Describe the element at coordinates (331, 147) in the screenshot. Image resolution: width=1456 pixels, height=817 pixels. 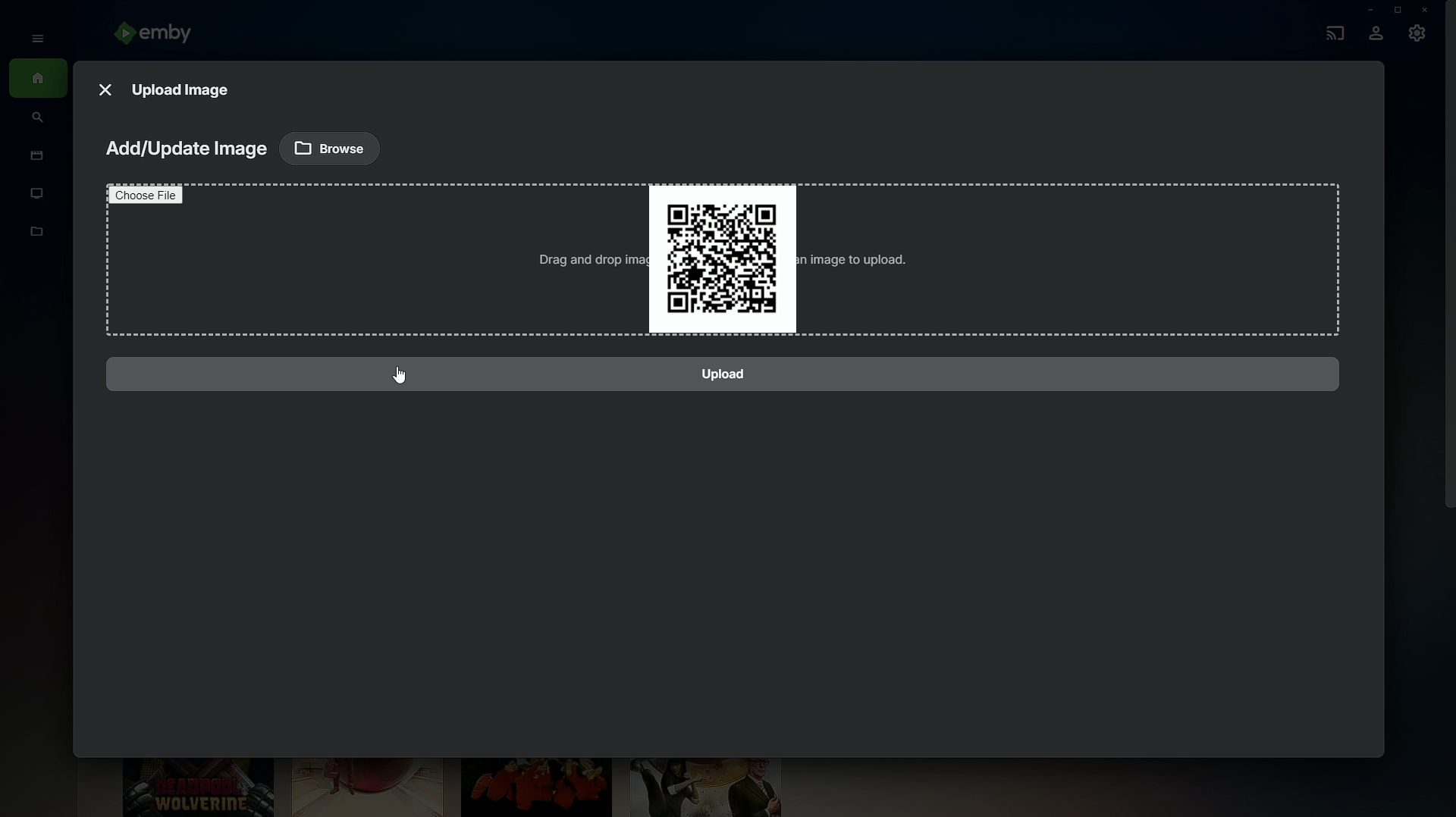
I see `Browse` at that location.